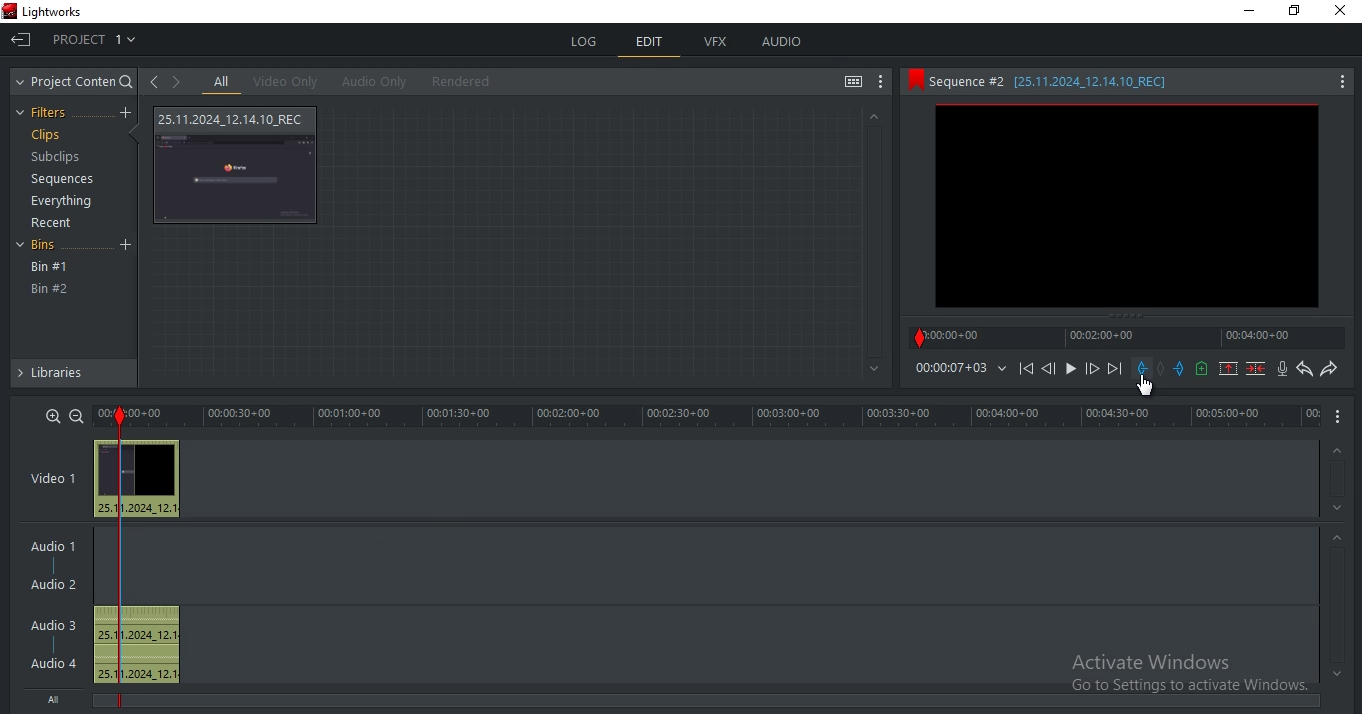  I want to click on bin #1, so click(50, 267).